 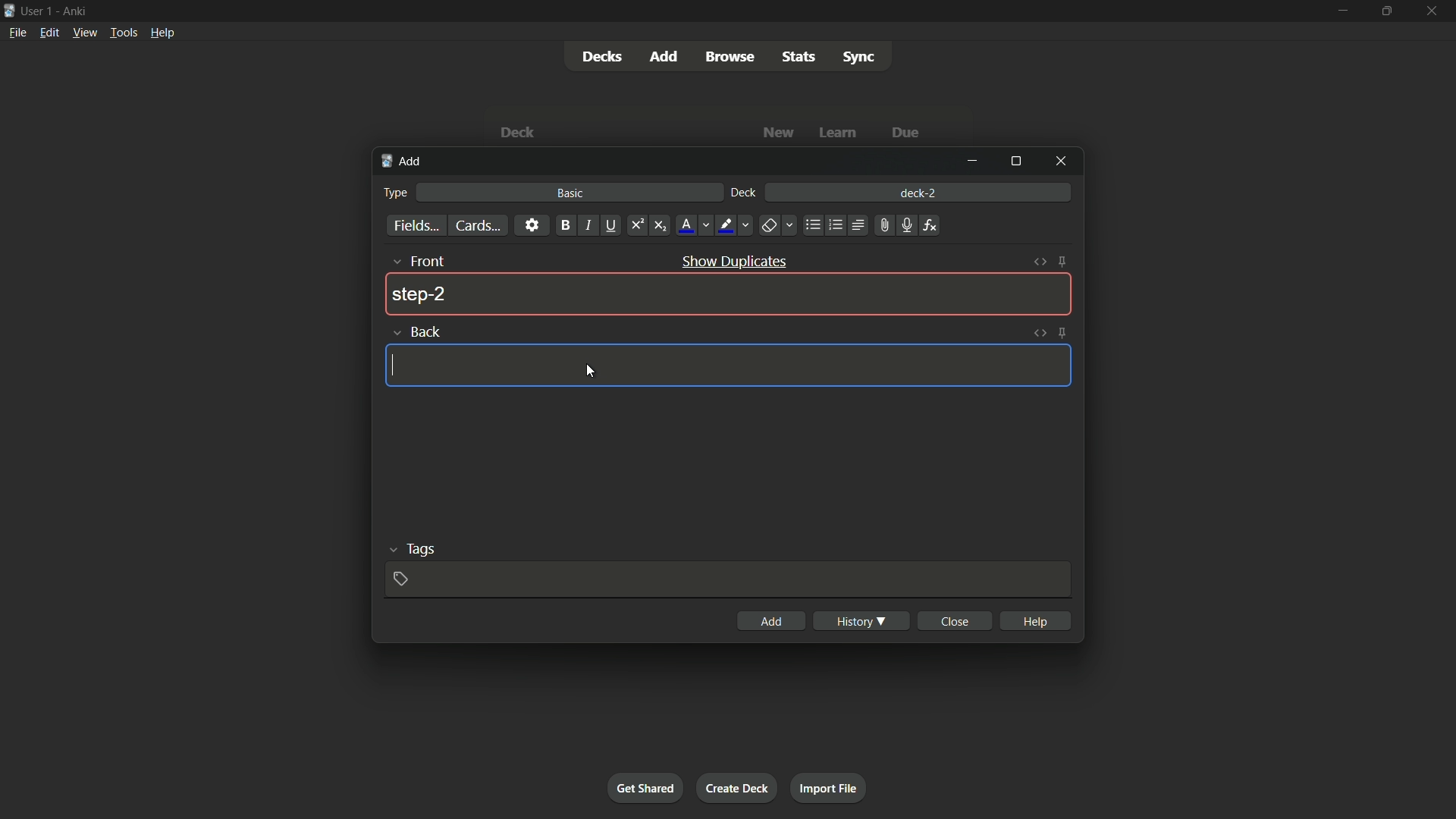 What do you see at coordinates (521, 132) in the screenshot?
I see `deck` at bounding box center [521, 132].